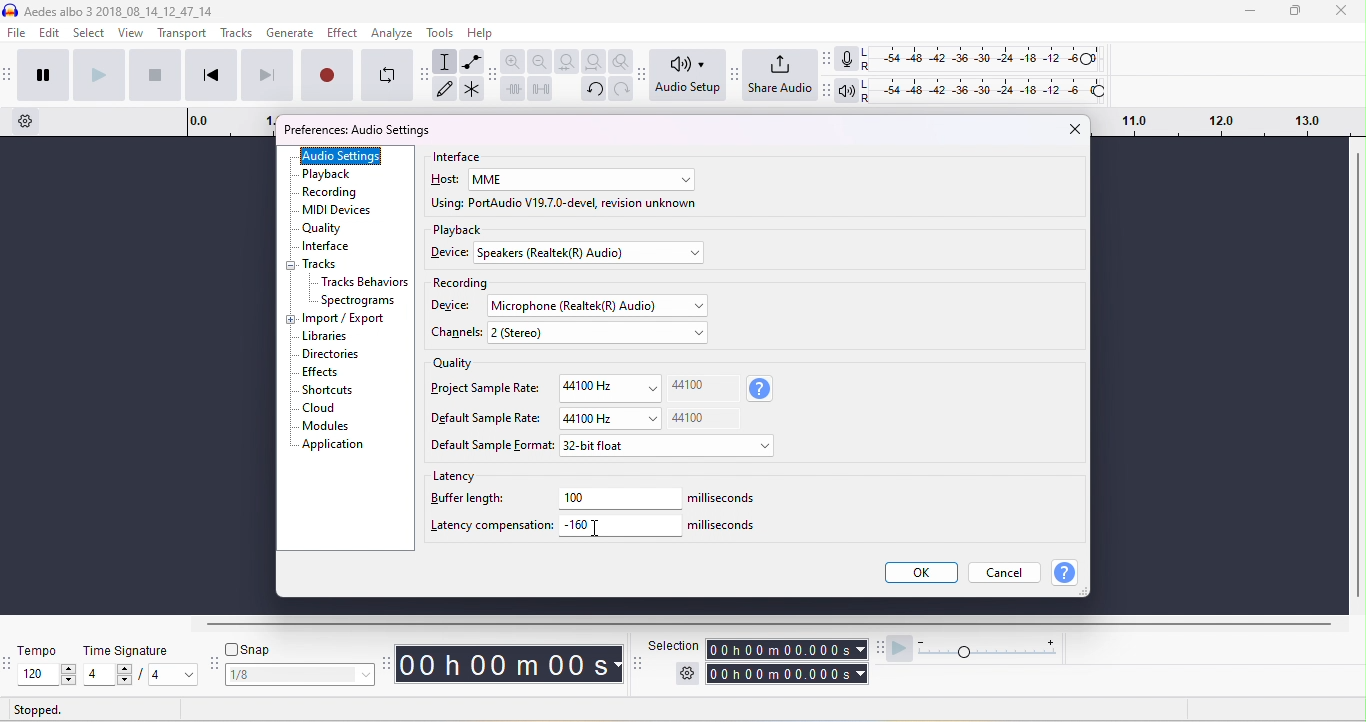  Describe the element at coordinates (331, 355) in the screenshot. I see `dictionaries` at that location.